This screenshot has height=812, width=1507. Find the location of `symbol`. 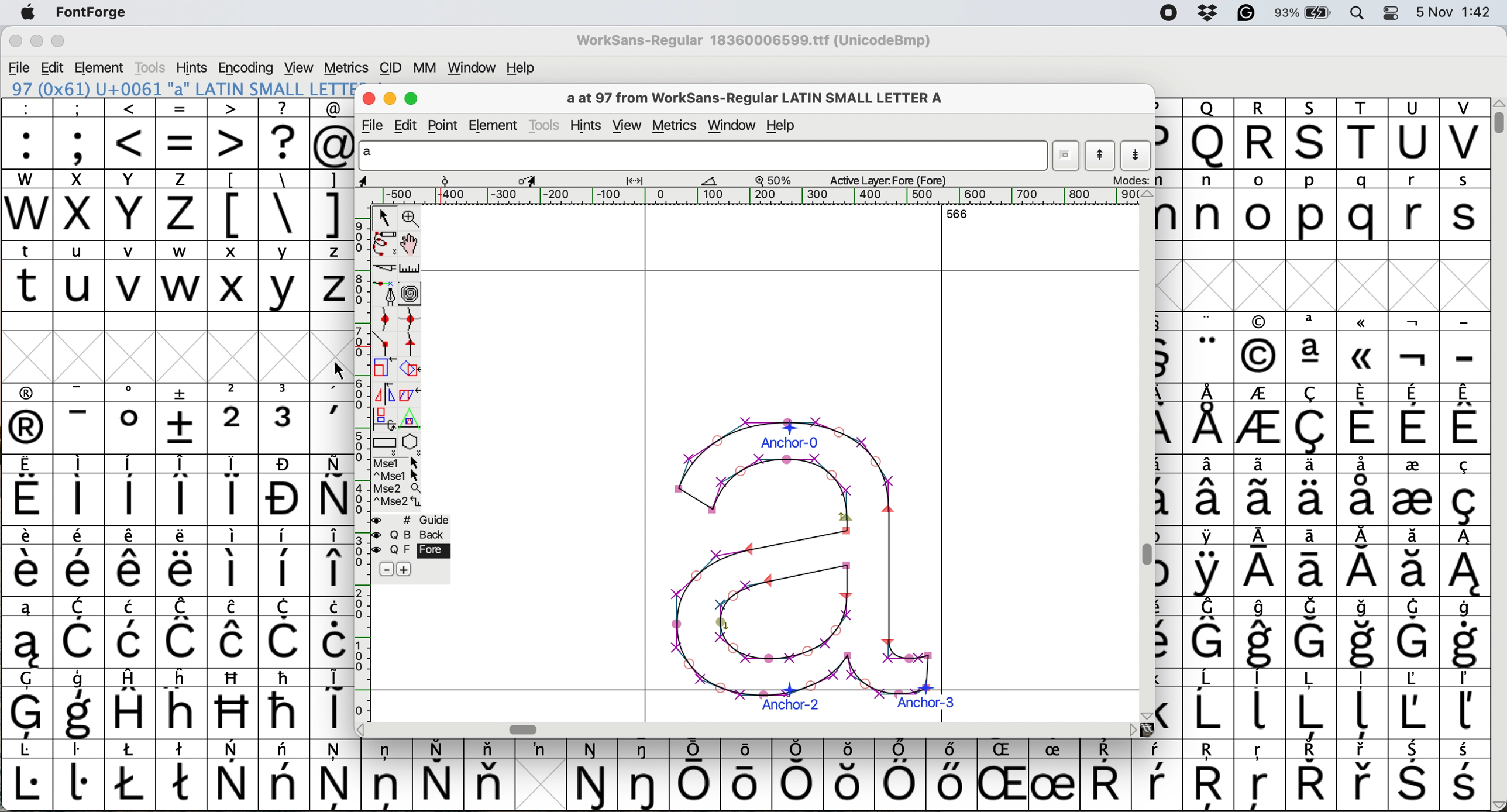

symbol is located at coordinates (334, 632).